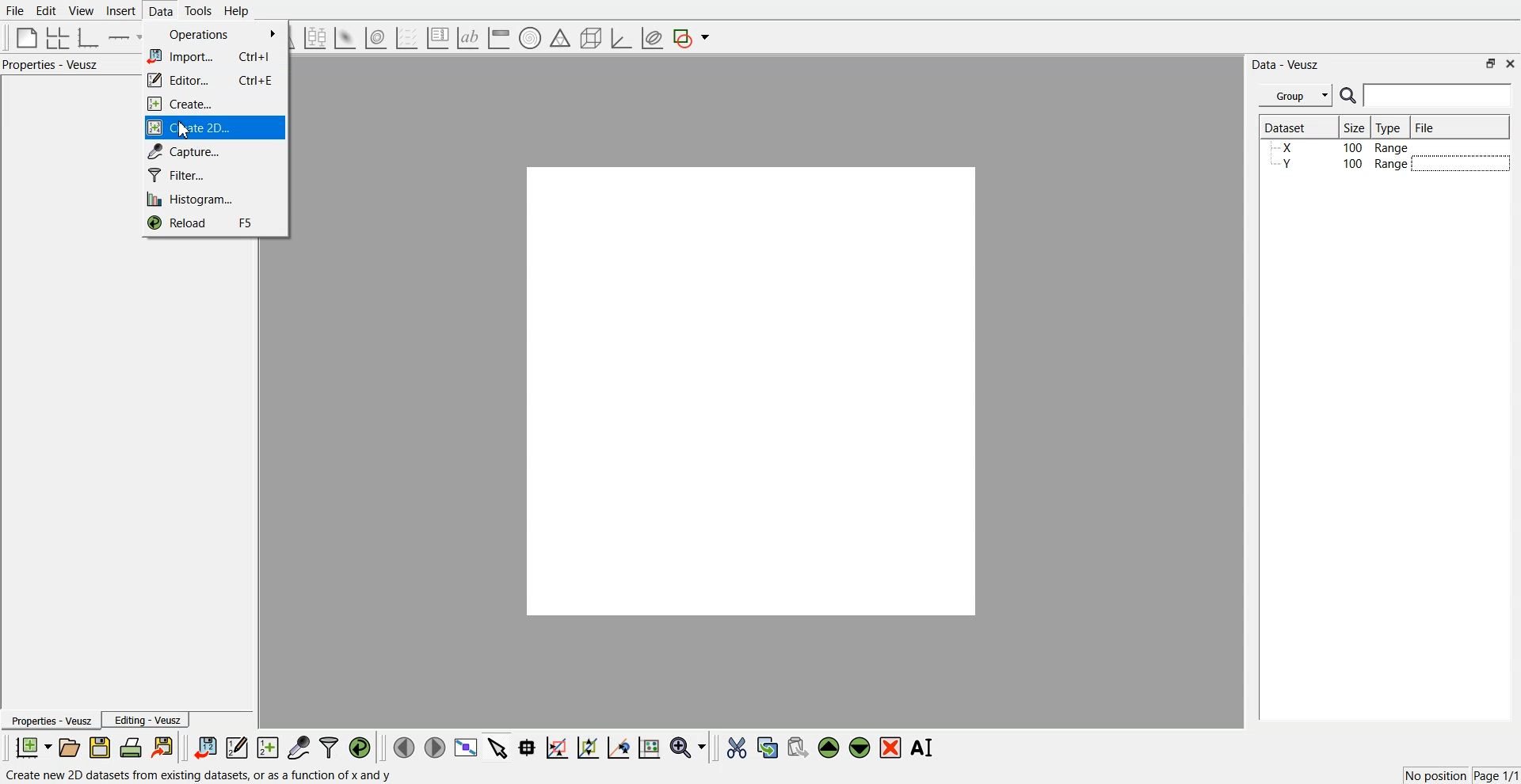 The image size is (1521, 784). What do you see at coordinates (890, 748) in the screenshot?
I see `Remove the selected widget` at bounding box center [890, 748].